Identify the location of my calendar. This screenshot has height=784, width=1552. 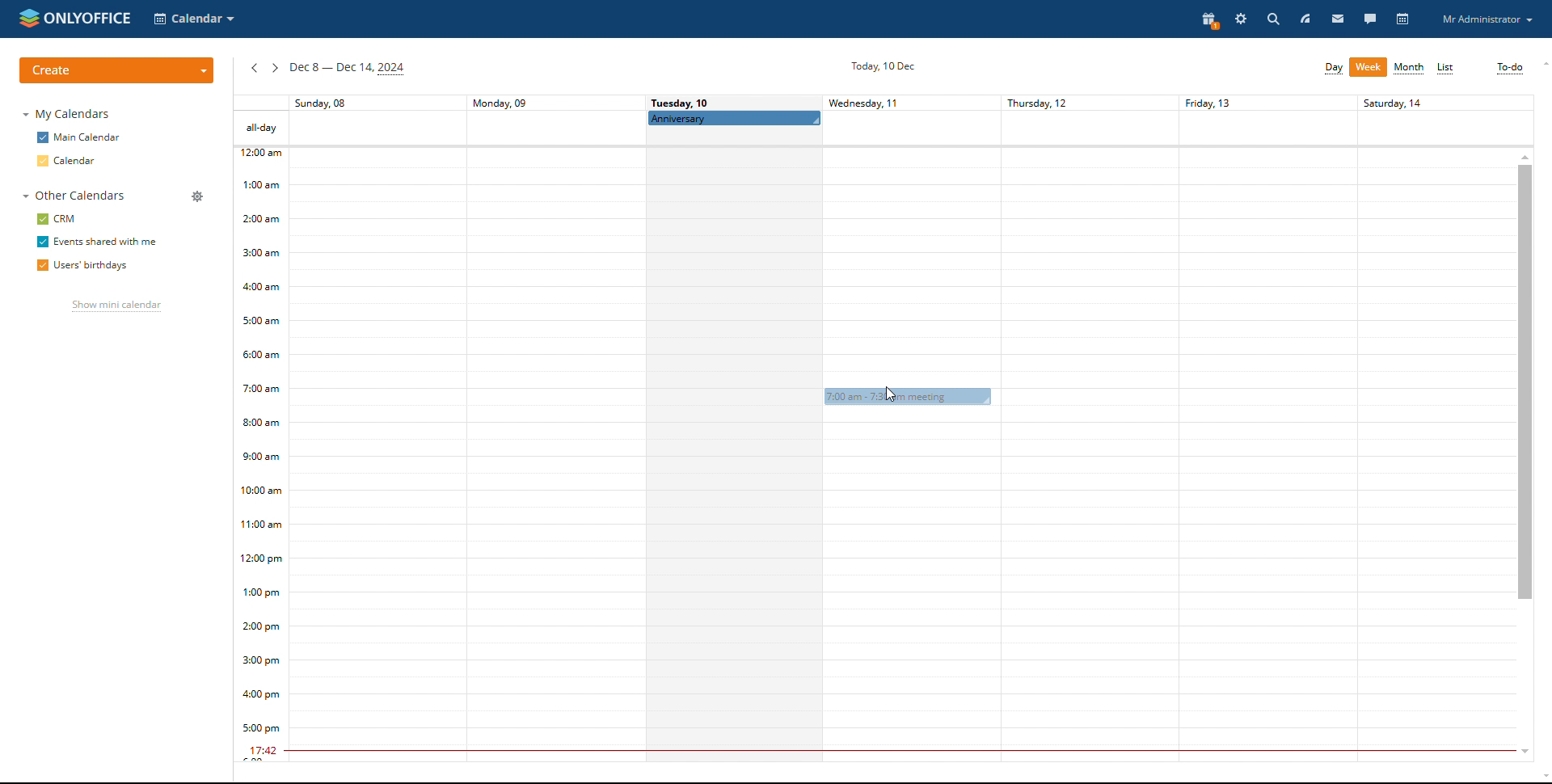
(70, 114).